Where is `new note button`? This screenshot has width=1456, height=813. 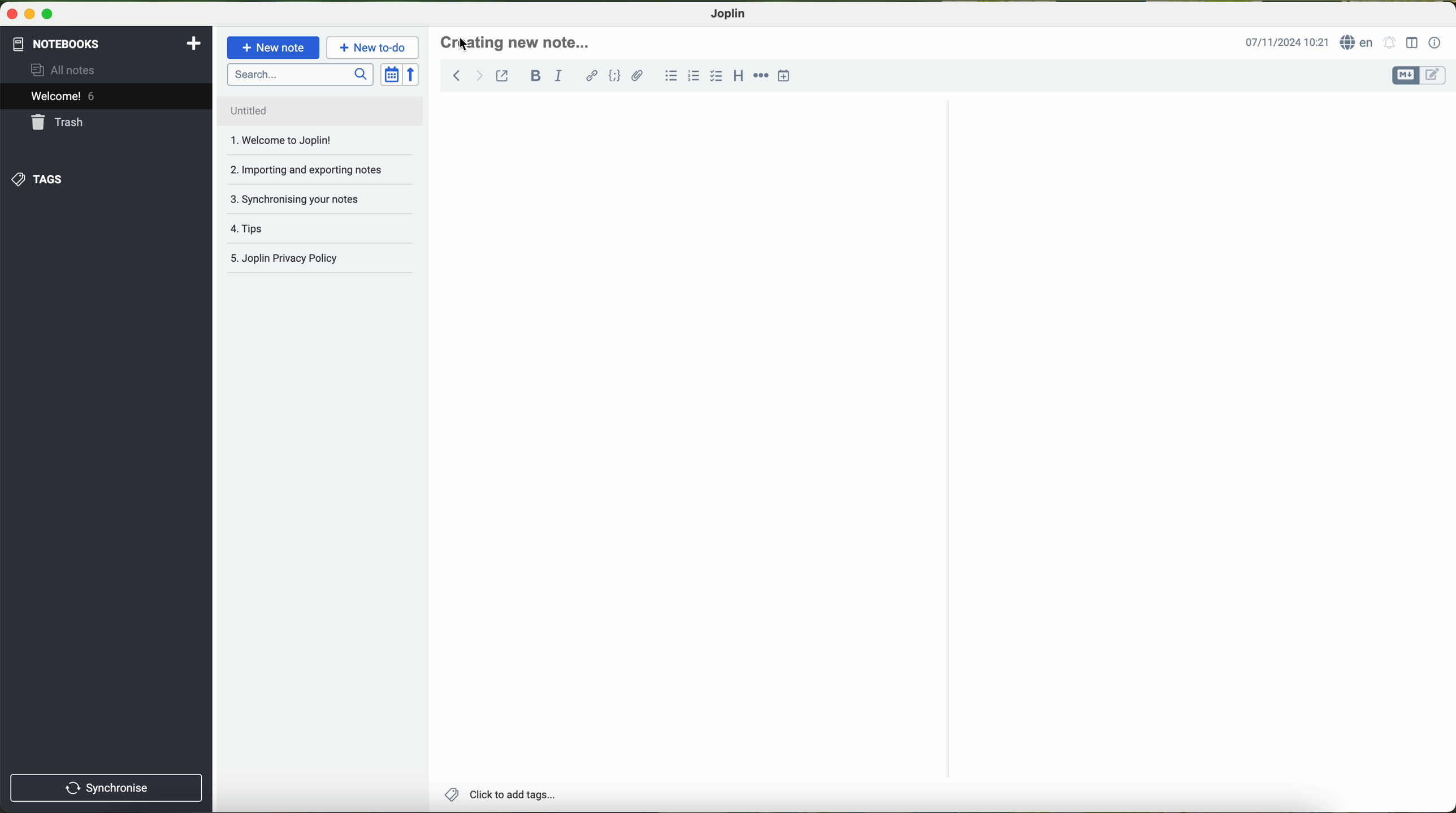
new note button is located at coordinates (274, 47).